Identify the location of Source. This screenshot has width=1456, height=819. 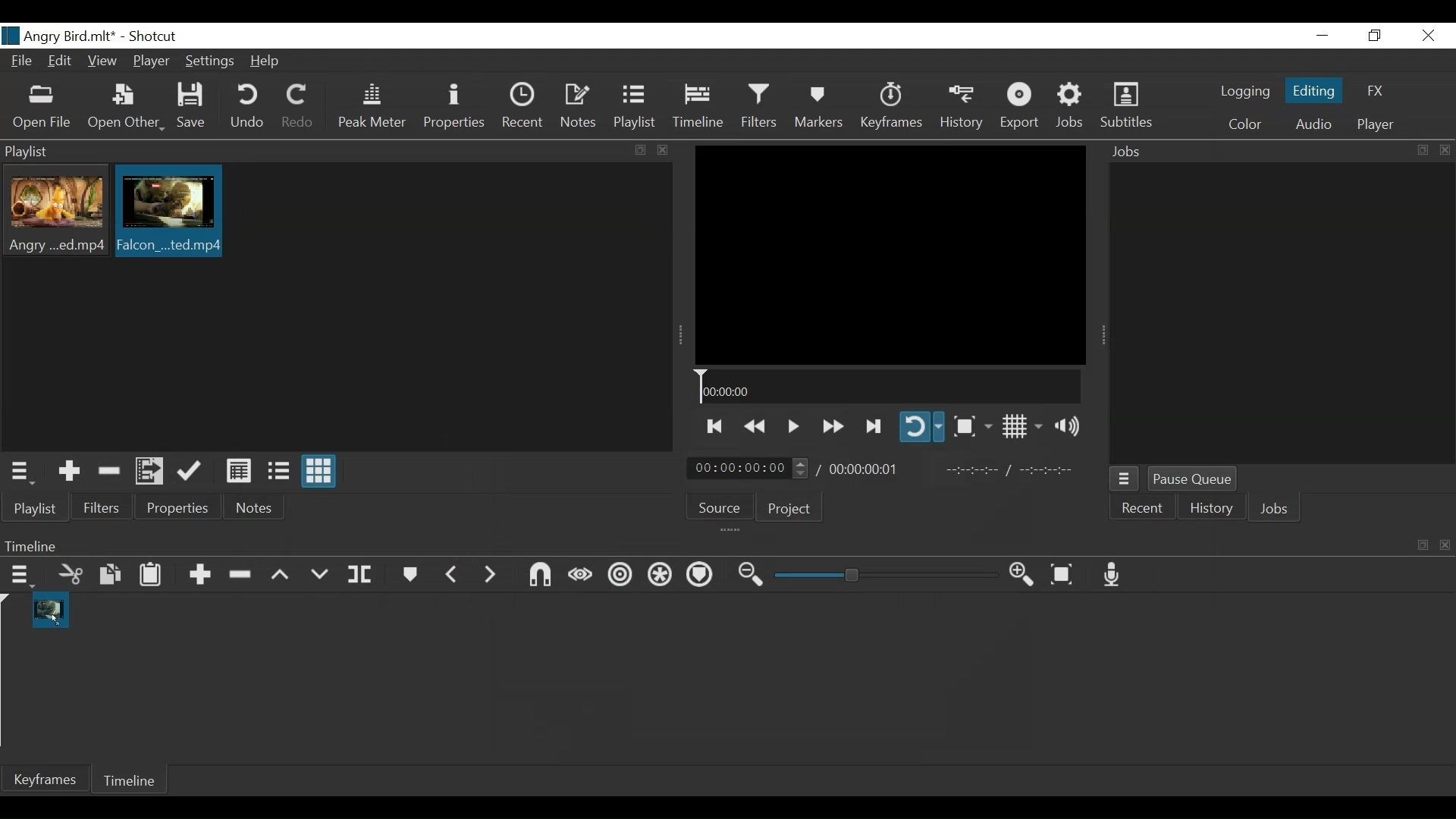
(725, 506).